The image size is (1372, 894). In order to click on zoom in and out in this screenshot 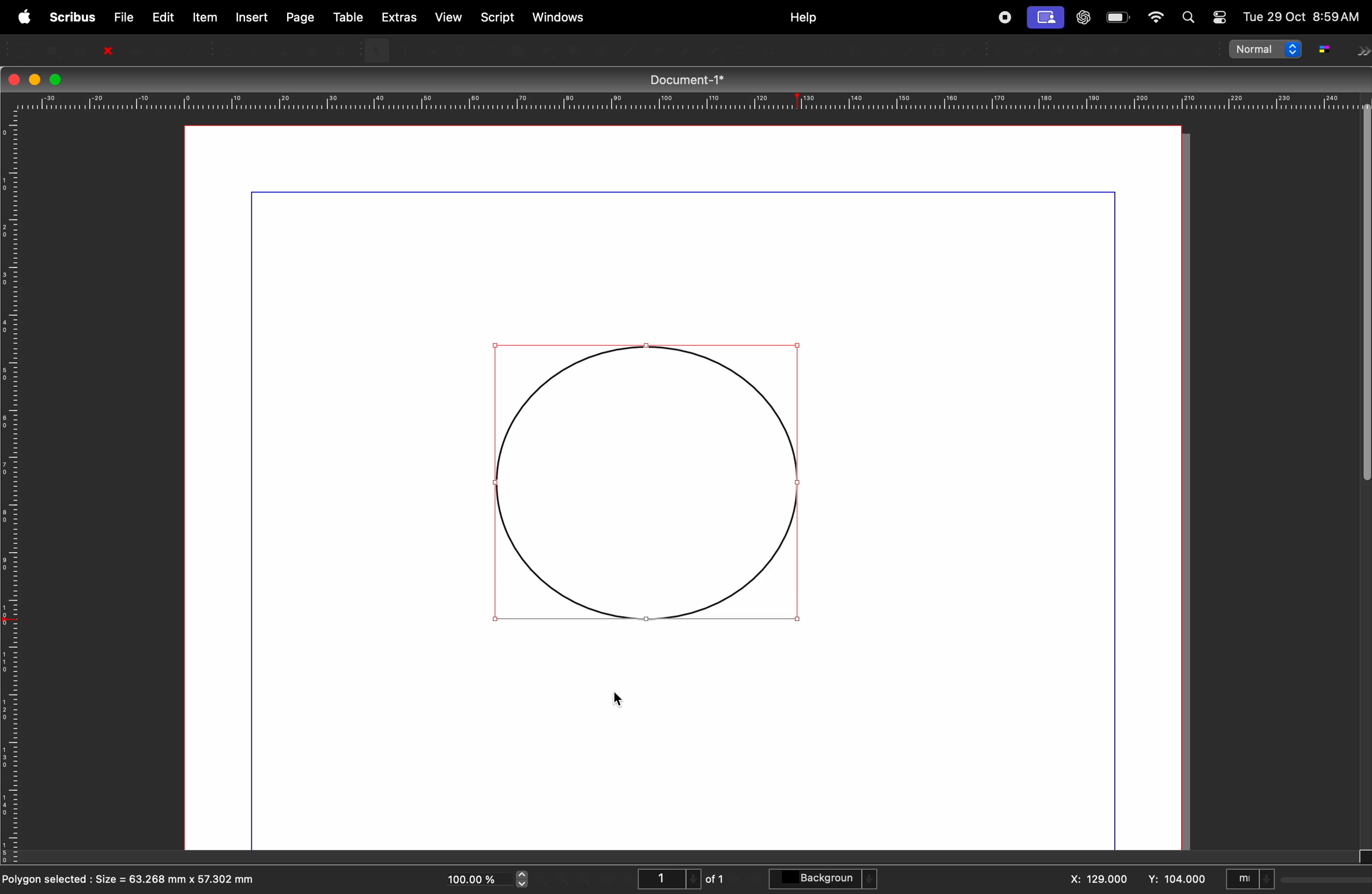, I will do `click(523, 880)`.